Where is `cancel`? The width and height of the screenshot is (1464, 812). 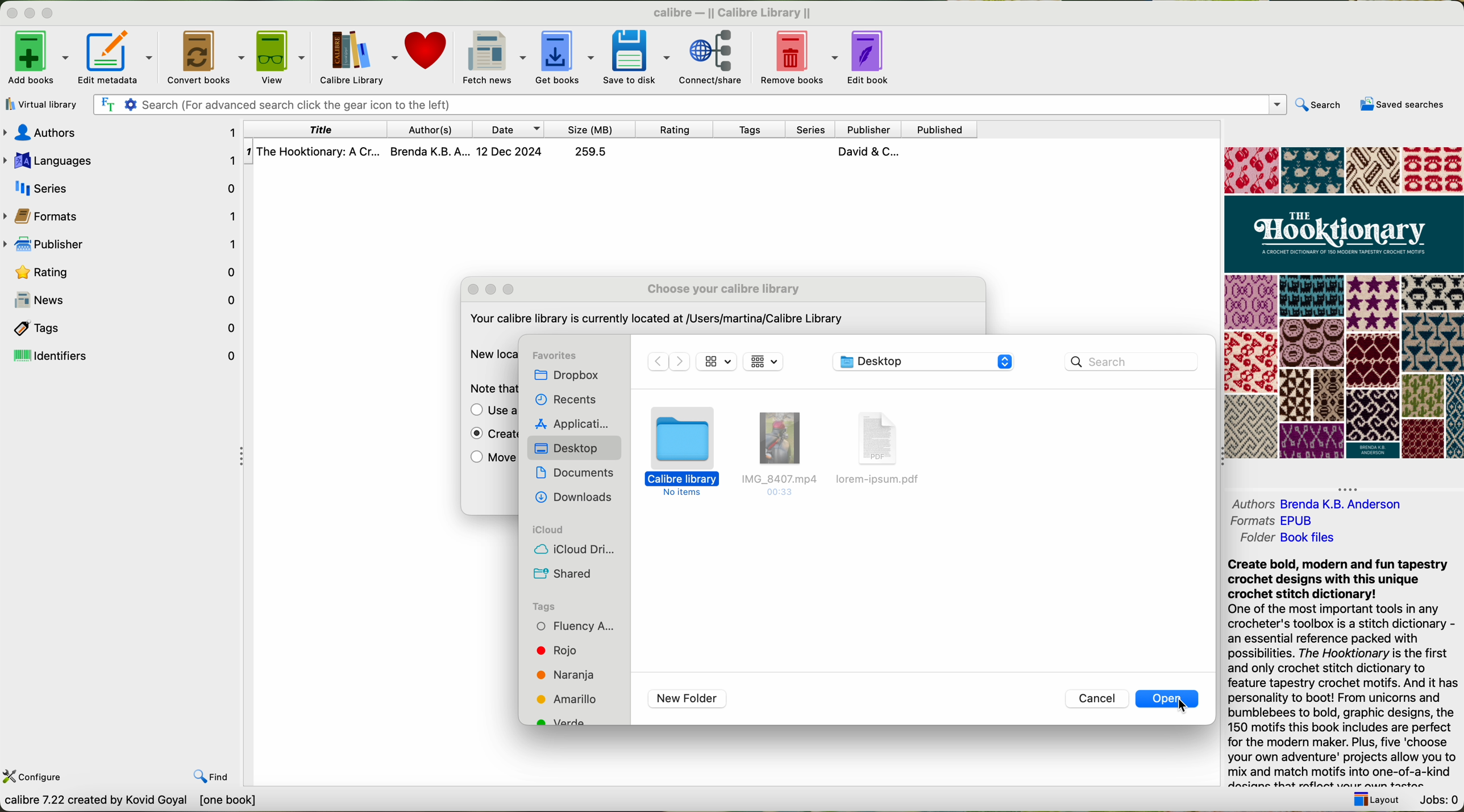
cancel is located at coordinates (1099, 698).